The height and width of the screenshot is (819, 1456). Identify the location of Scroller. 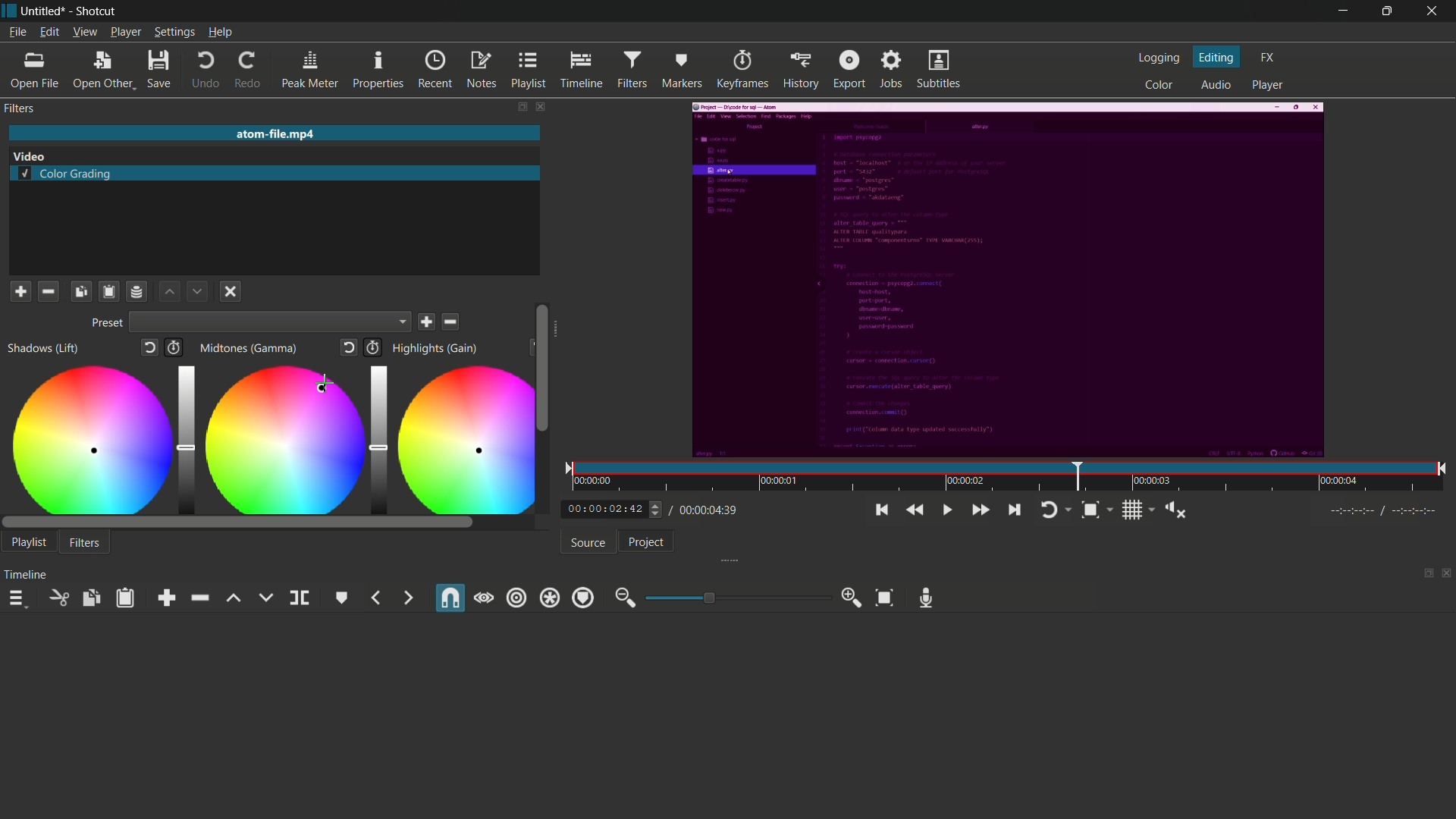
(542, 370).